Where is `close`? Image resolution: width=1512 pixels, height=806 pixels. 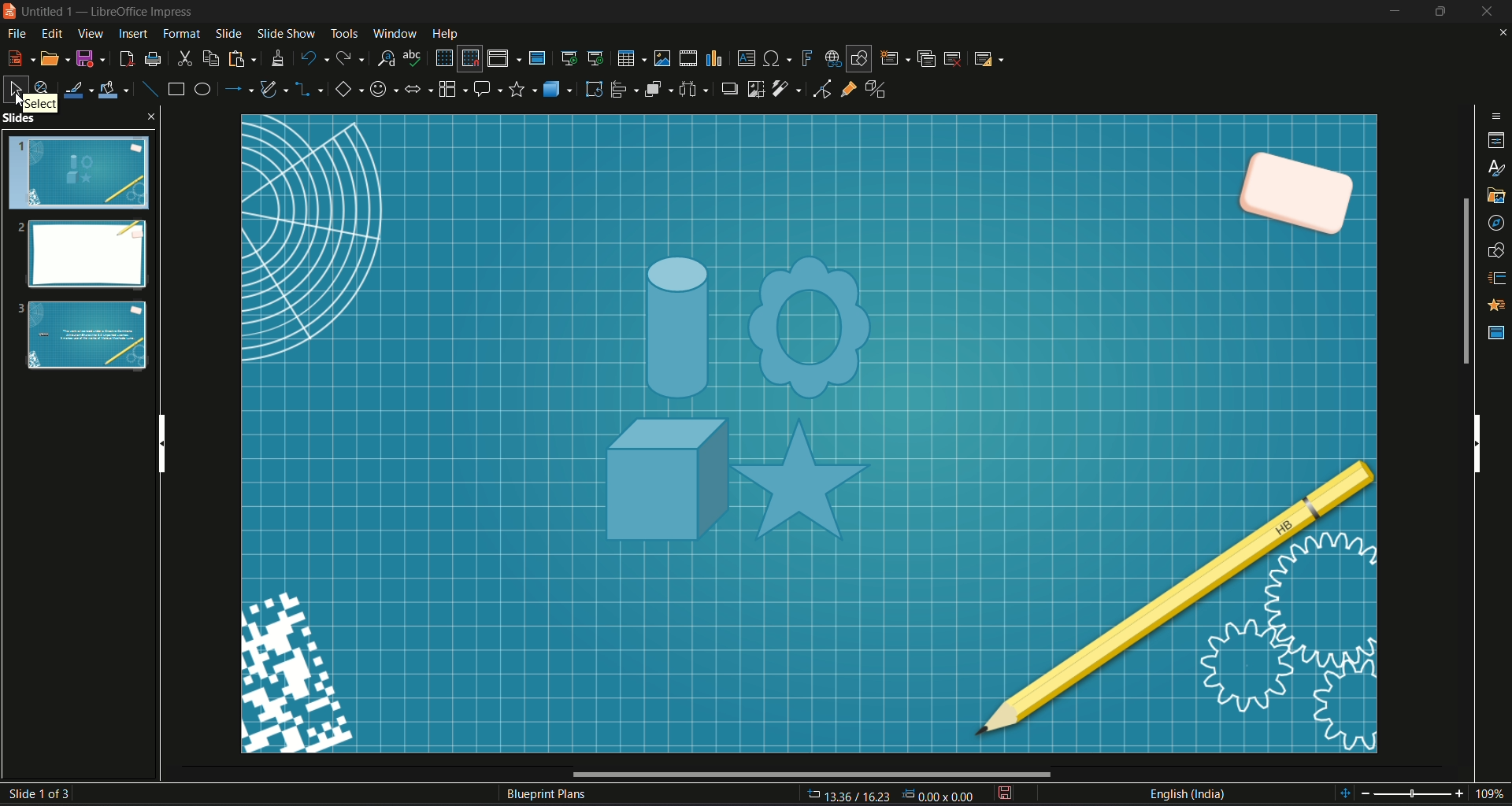
close is located at coordinates (1503, 34).